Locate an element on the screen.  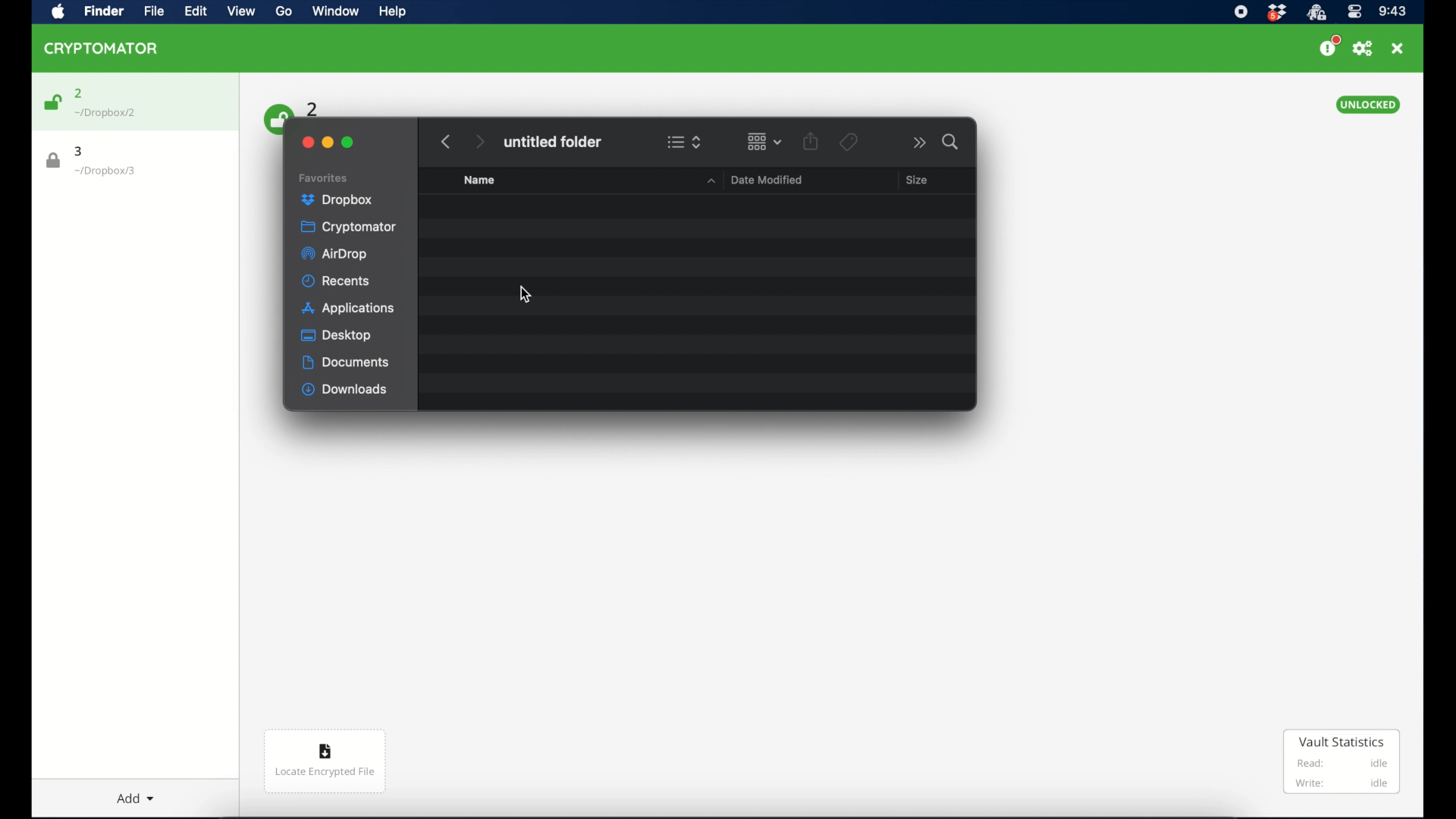
airdrop is located at coordinates (334, 254).